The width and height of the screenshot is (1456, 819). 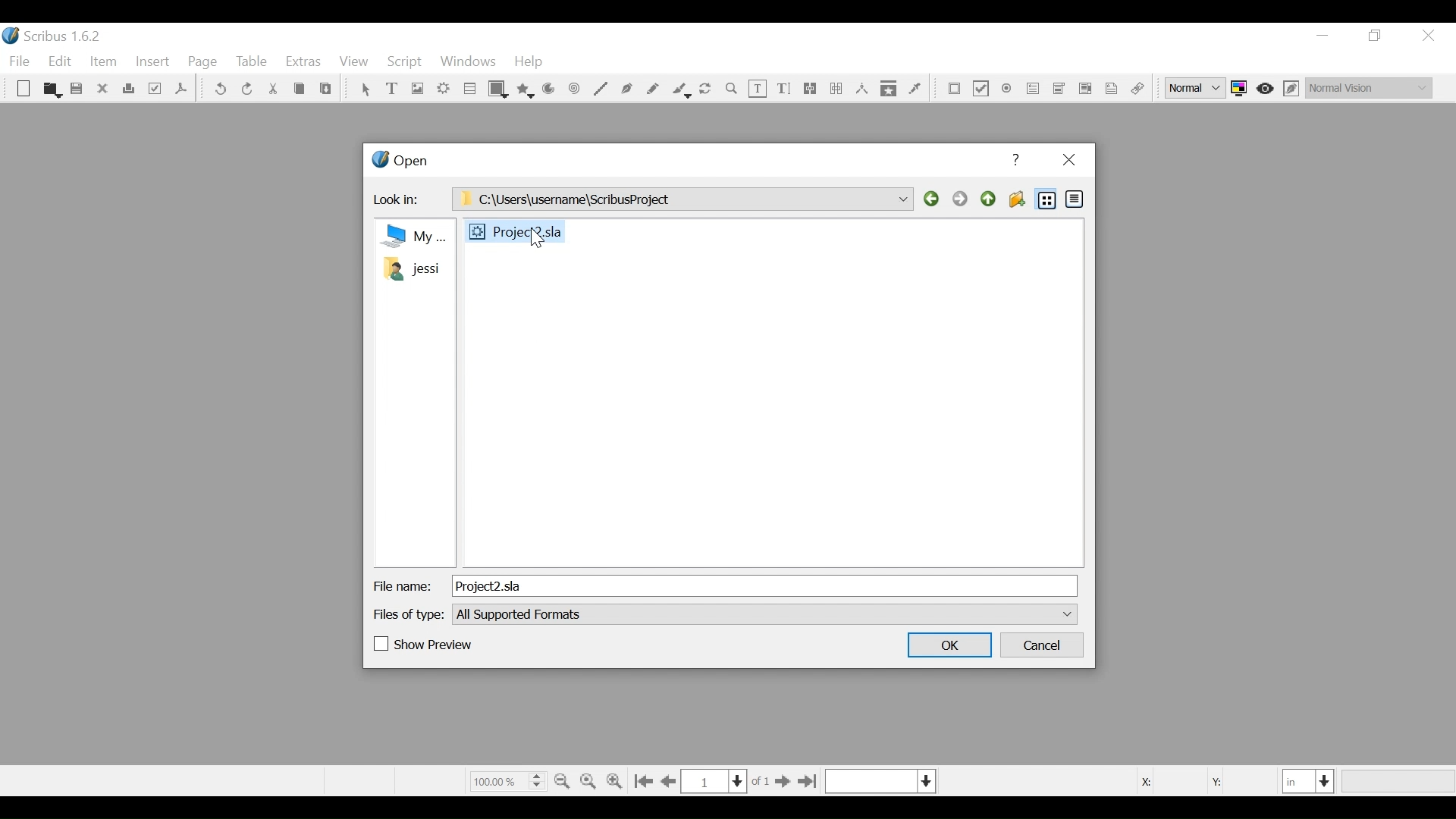 What do you see at coordinates (353, 63) in the screenshot?
I see `View` at bounding box center [353, 63].